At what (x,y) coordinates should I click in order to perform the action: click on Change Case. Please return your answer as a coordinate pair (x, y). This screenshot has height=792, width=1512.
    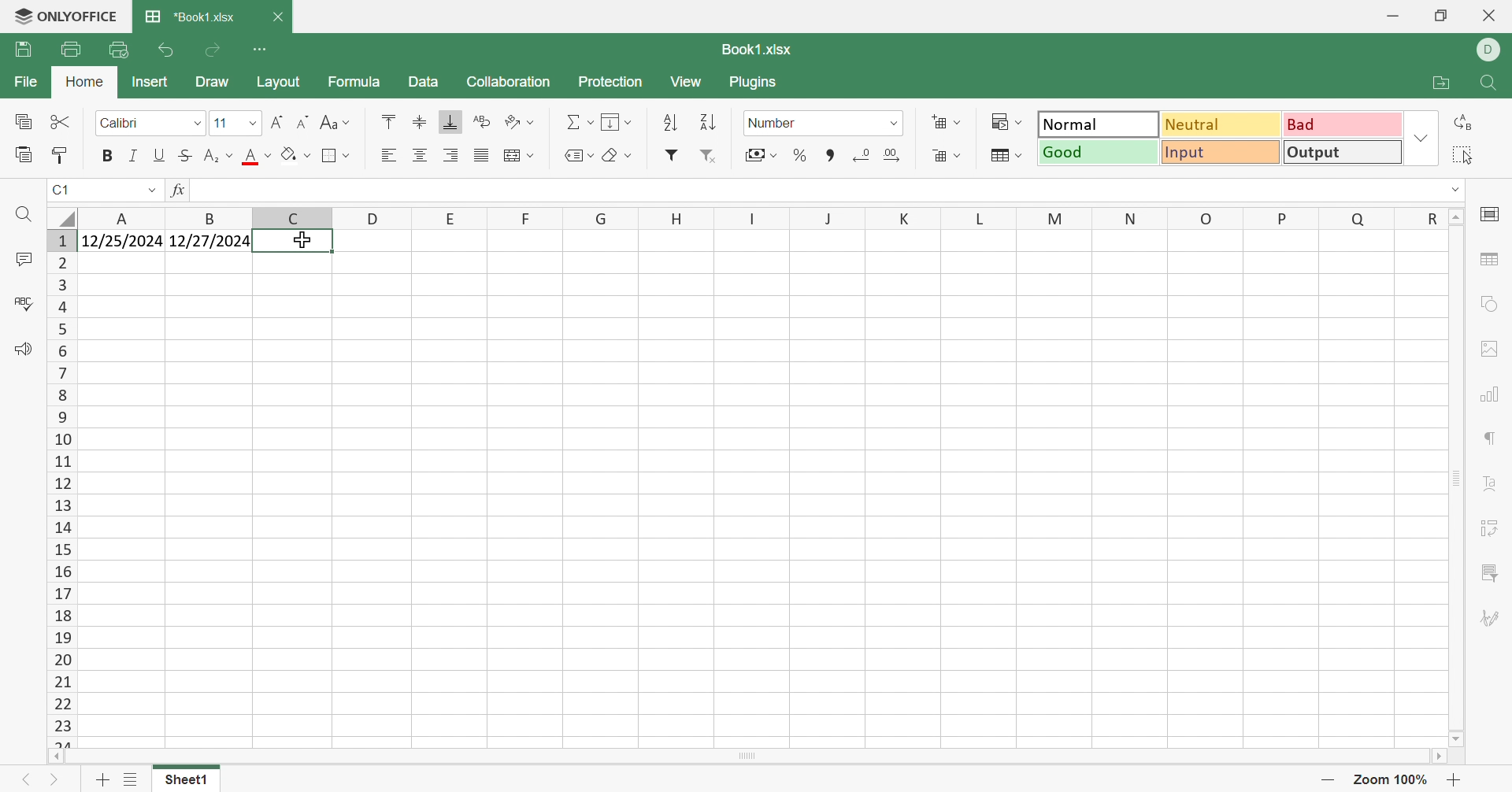
    Looking at the image, I should click on (336, 124).